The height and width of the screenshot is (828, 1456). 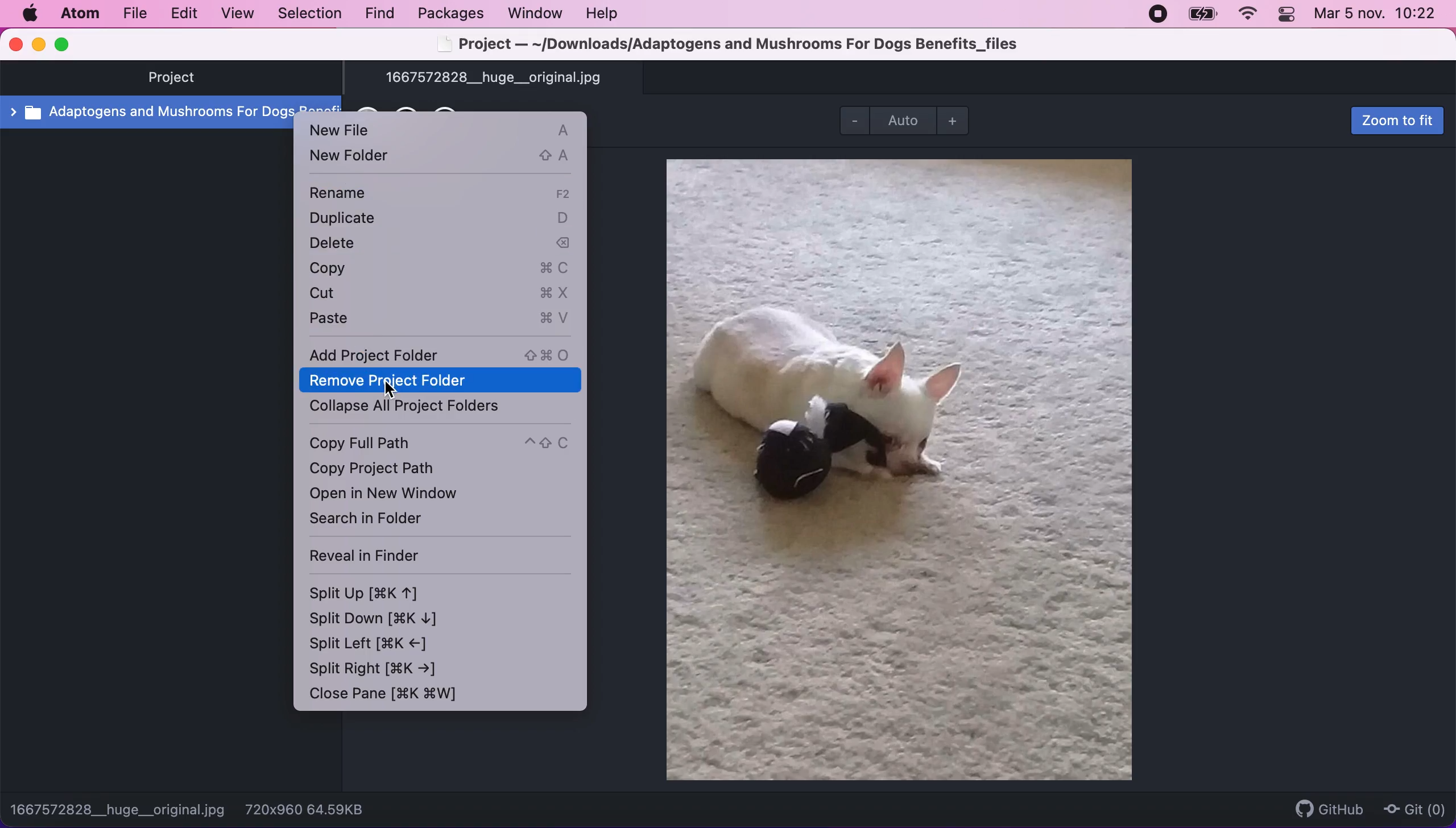 What do you see at coordinates (119, 809) in the screenshot?
I see `1667572828__huge__original.jpg` at bounding box center [119, 809].